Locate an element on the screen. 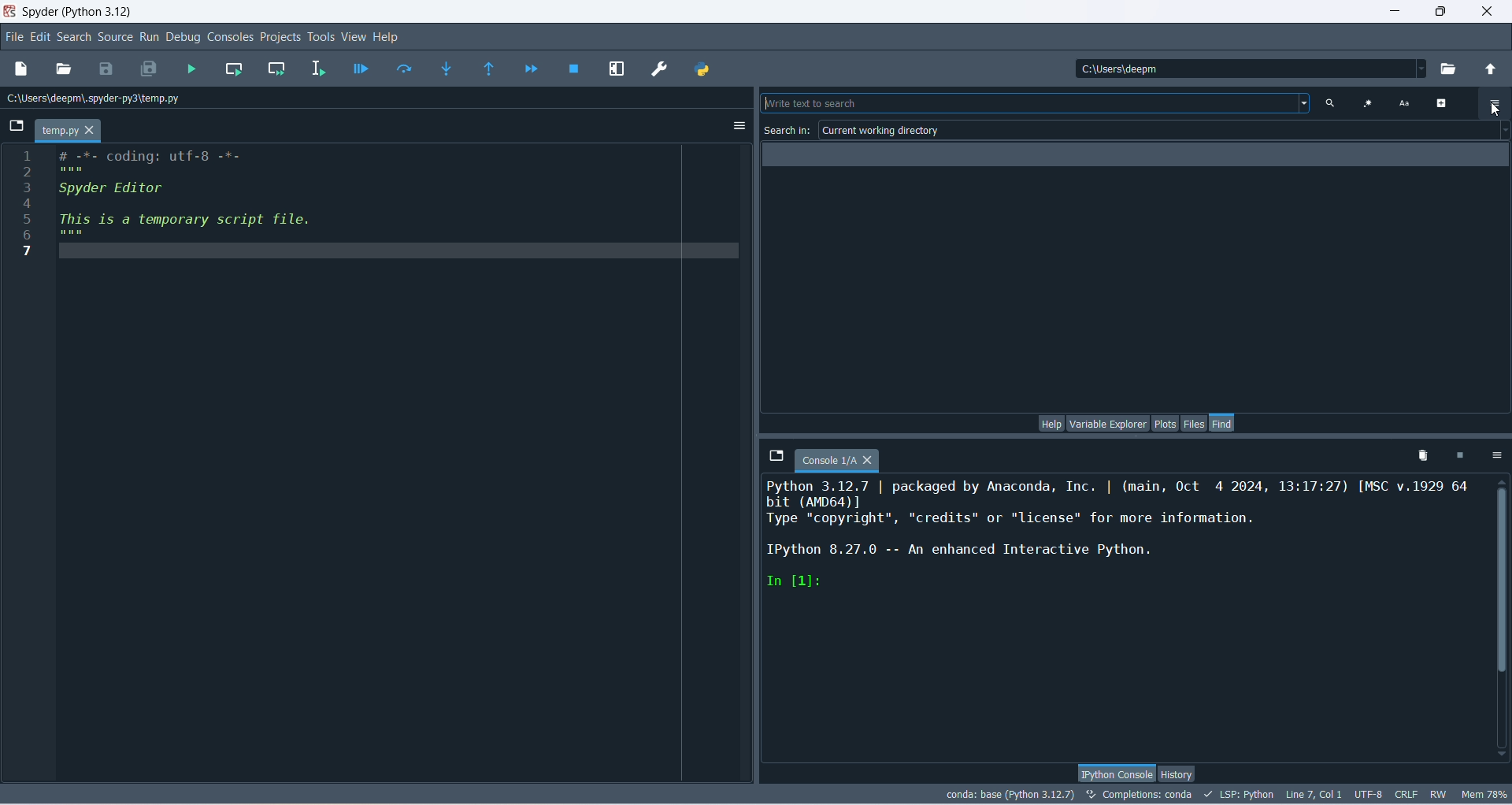 This screenshot has width=1512, height=805. options is located at coordinates (1495, 102).